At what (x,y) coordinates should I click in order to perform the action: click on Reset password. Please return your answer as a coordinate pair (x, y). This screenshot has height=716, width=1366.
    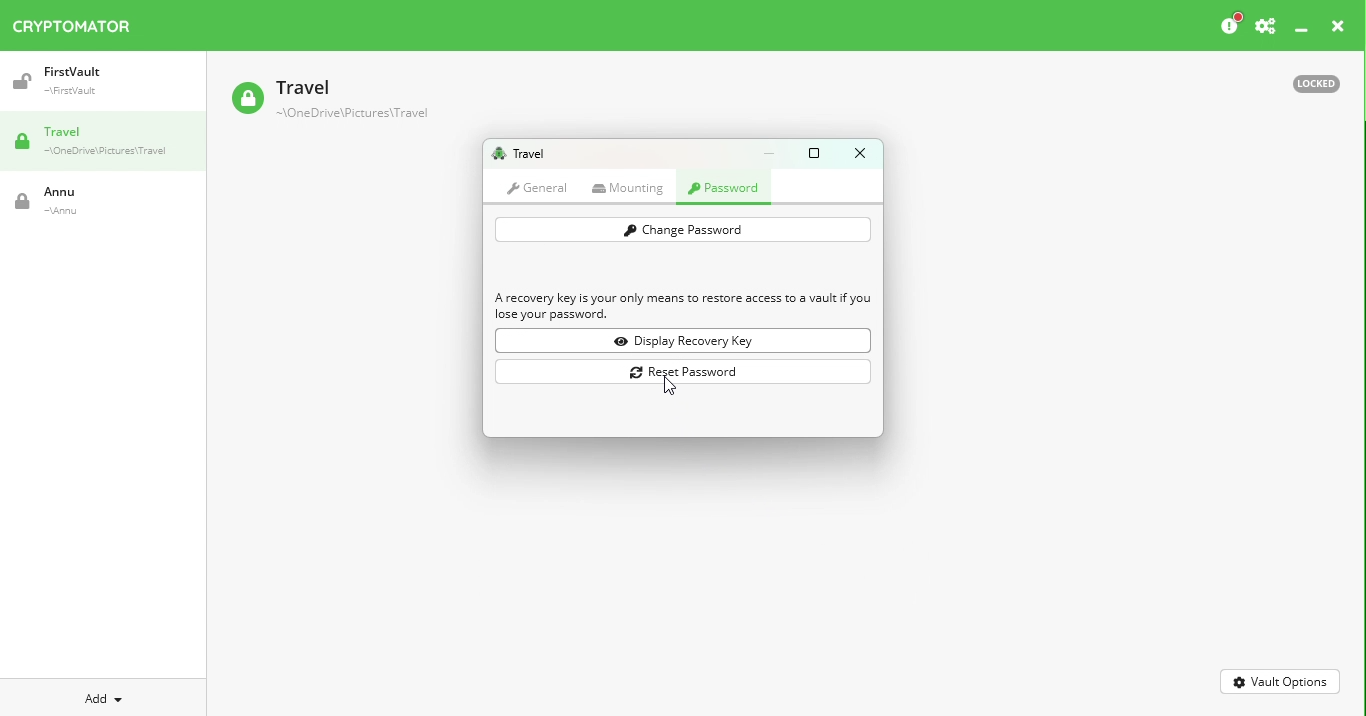
    Looking at the image, I should click on (687, 373).